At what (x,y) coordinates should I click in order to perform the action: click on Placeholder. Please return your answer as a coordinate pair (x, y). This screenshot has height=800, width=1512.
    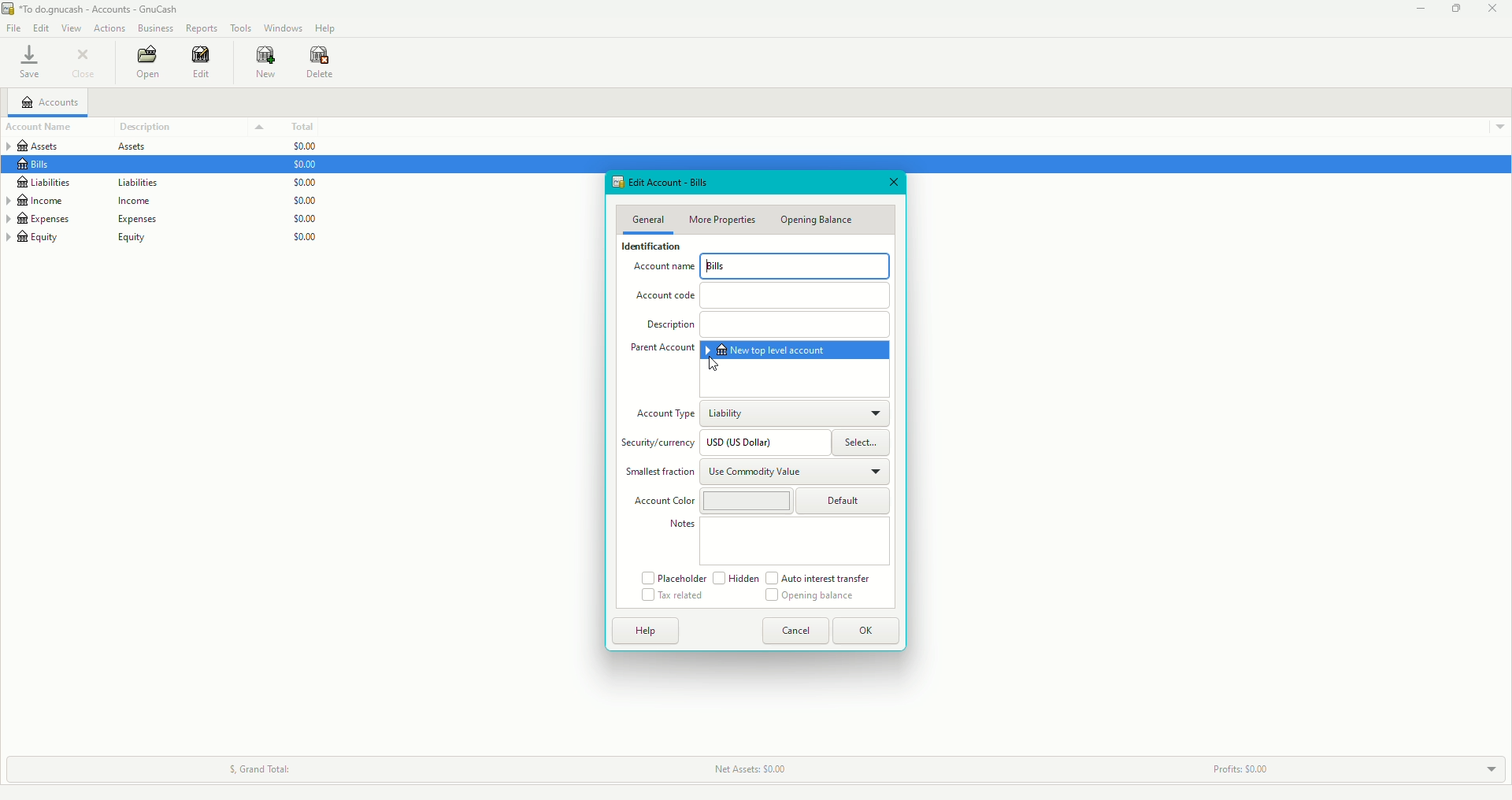
    Looking at the image, I should click on (672, 577).